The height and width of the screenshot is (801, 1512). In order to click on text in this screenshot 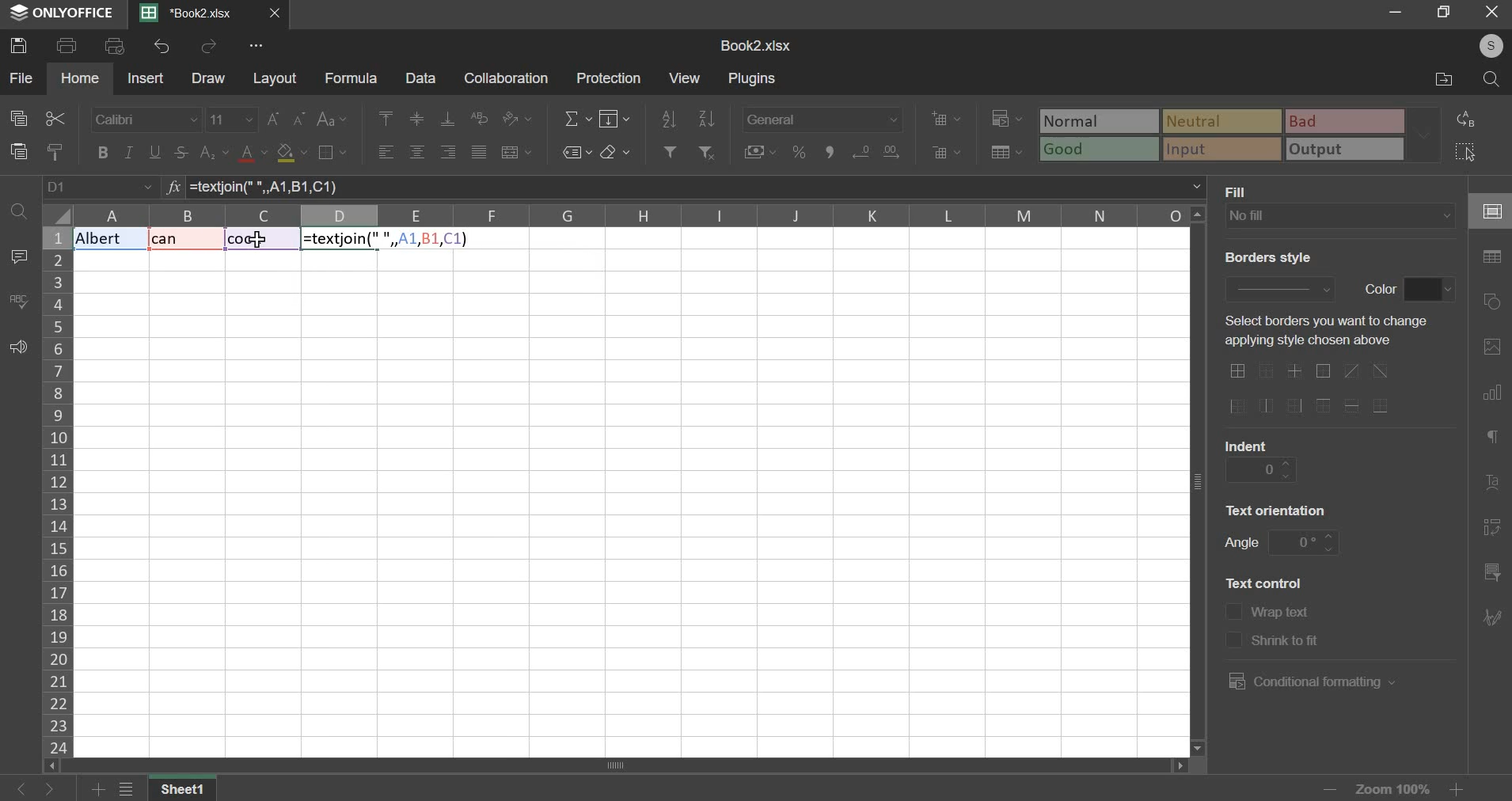, I will do `click(1247, 443)`.